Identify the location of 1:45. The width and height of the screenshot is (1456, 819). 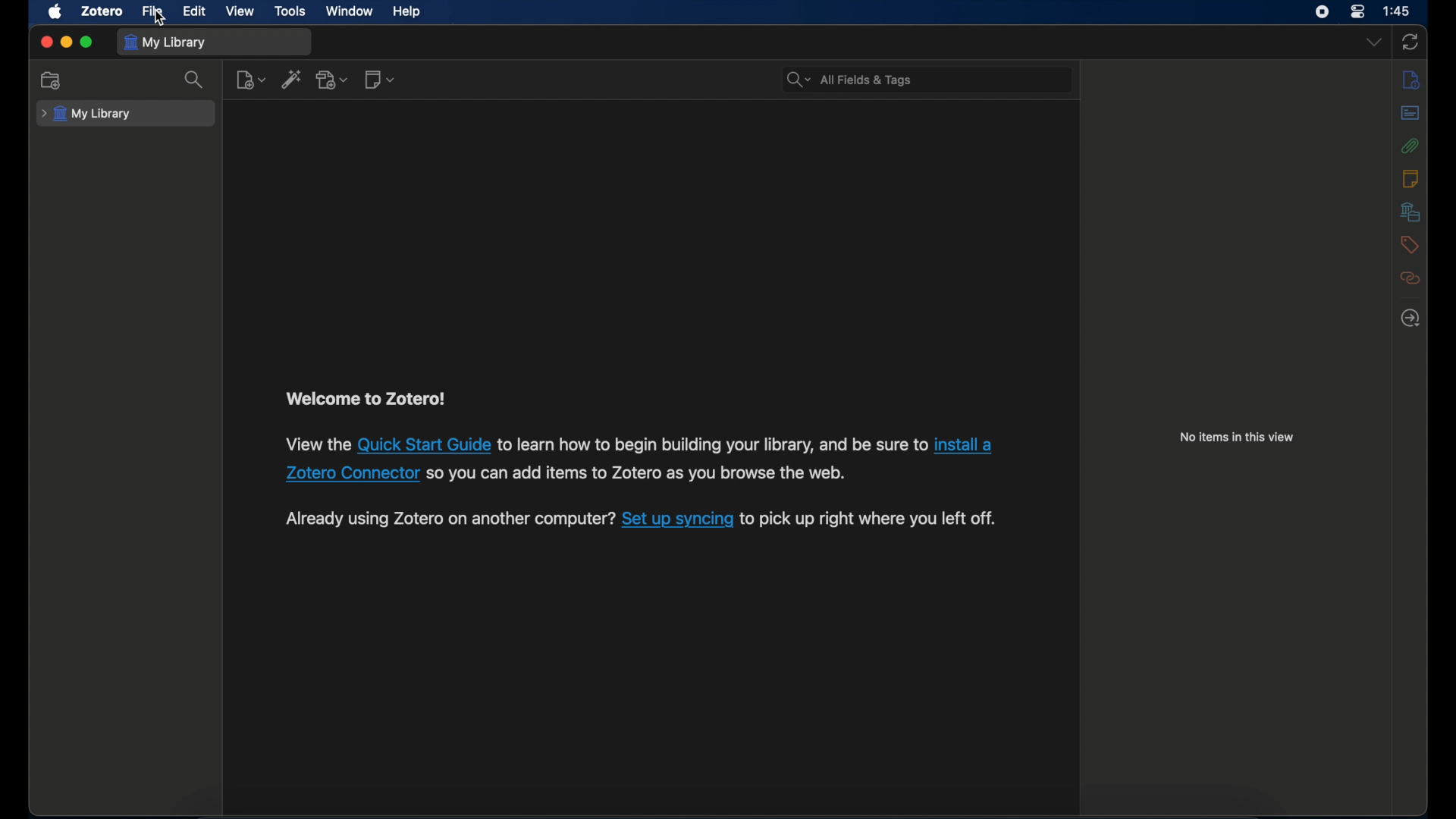
(1398, 11).